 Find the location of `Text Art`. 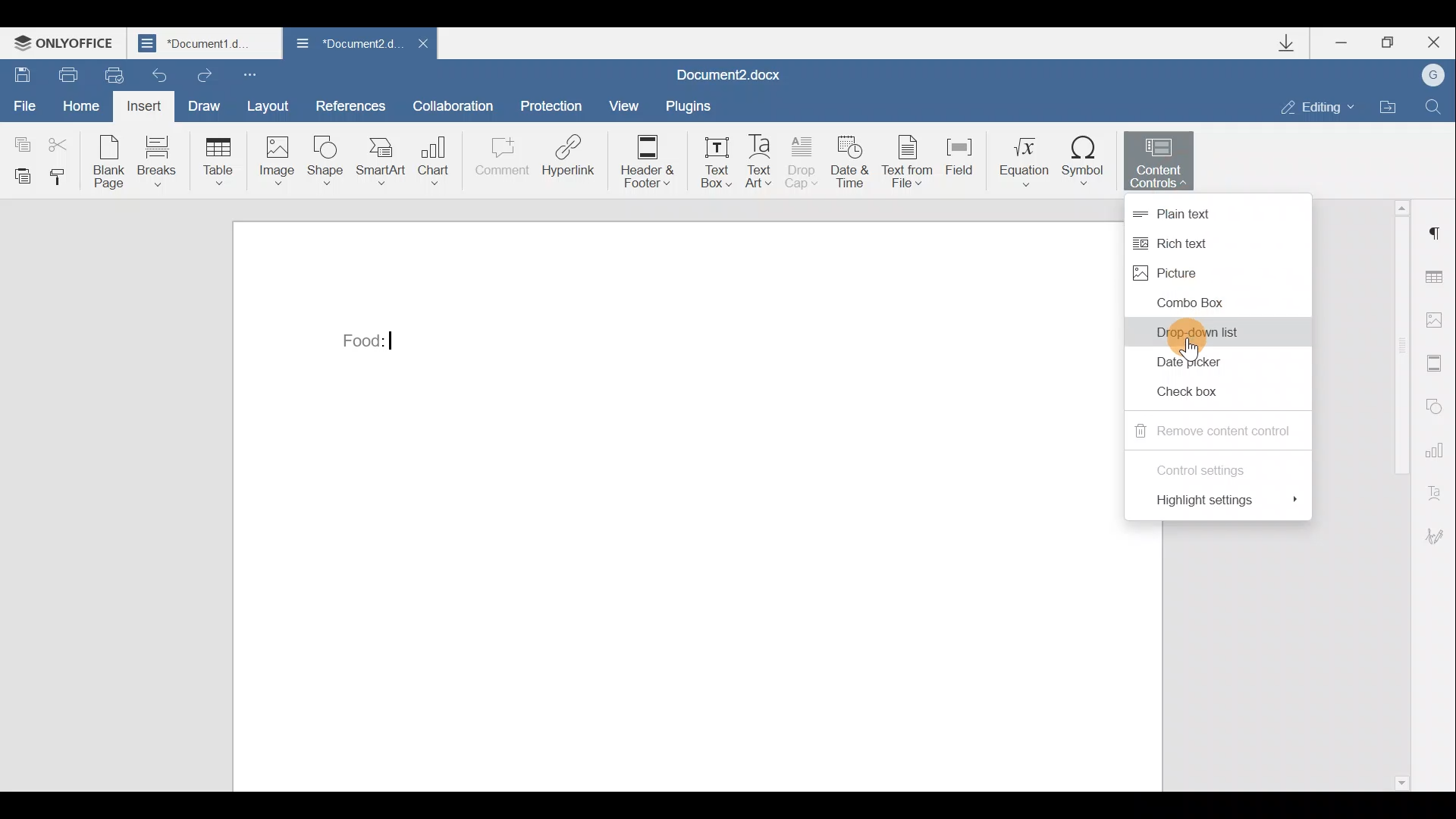

Text Art is located at coordinates (761, 162).